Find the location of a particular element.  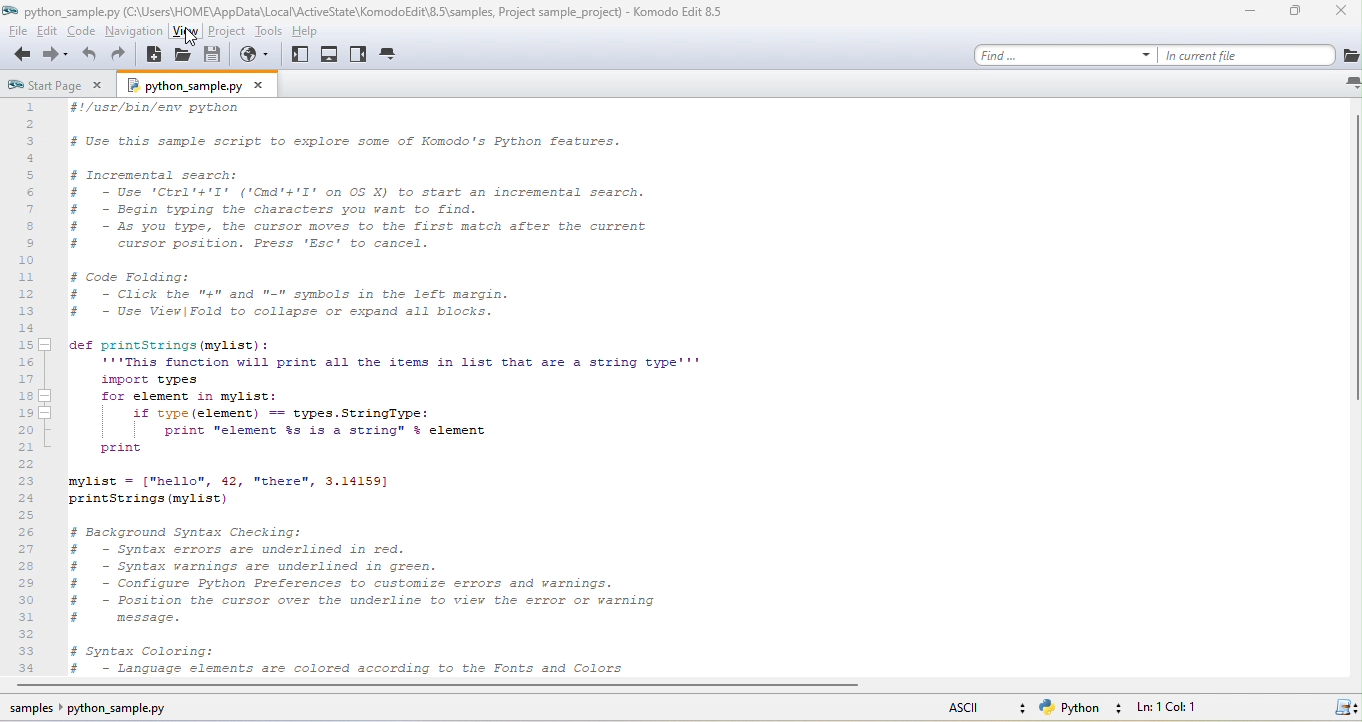

 is located at coordinates (525, 388).